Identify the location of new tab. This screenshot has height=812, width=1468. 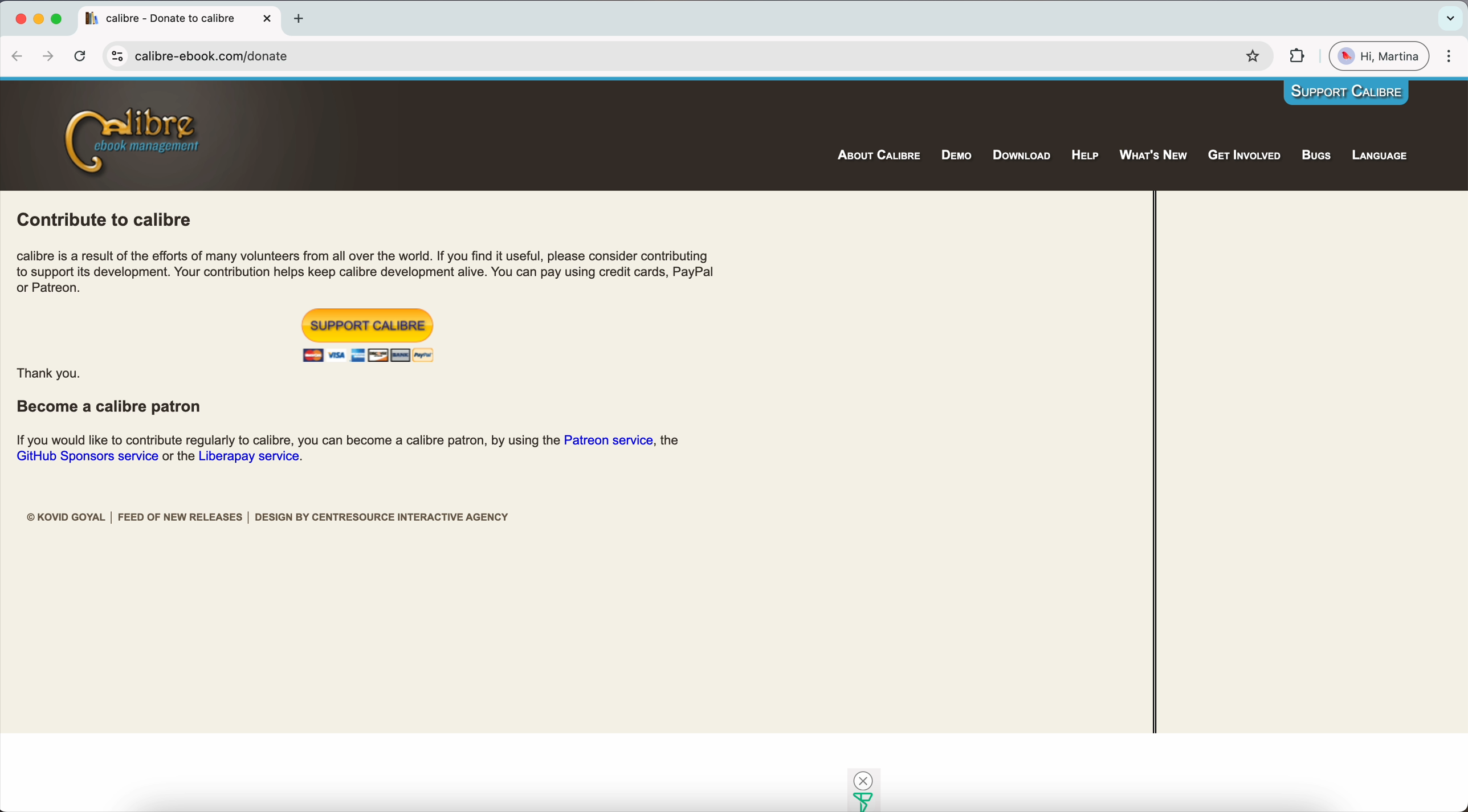
(300, 18).